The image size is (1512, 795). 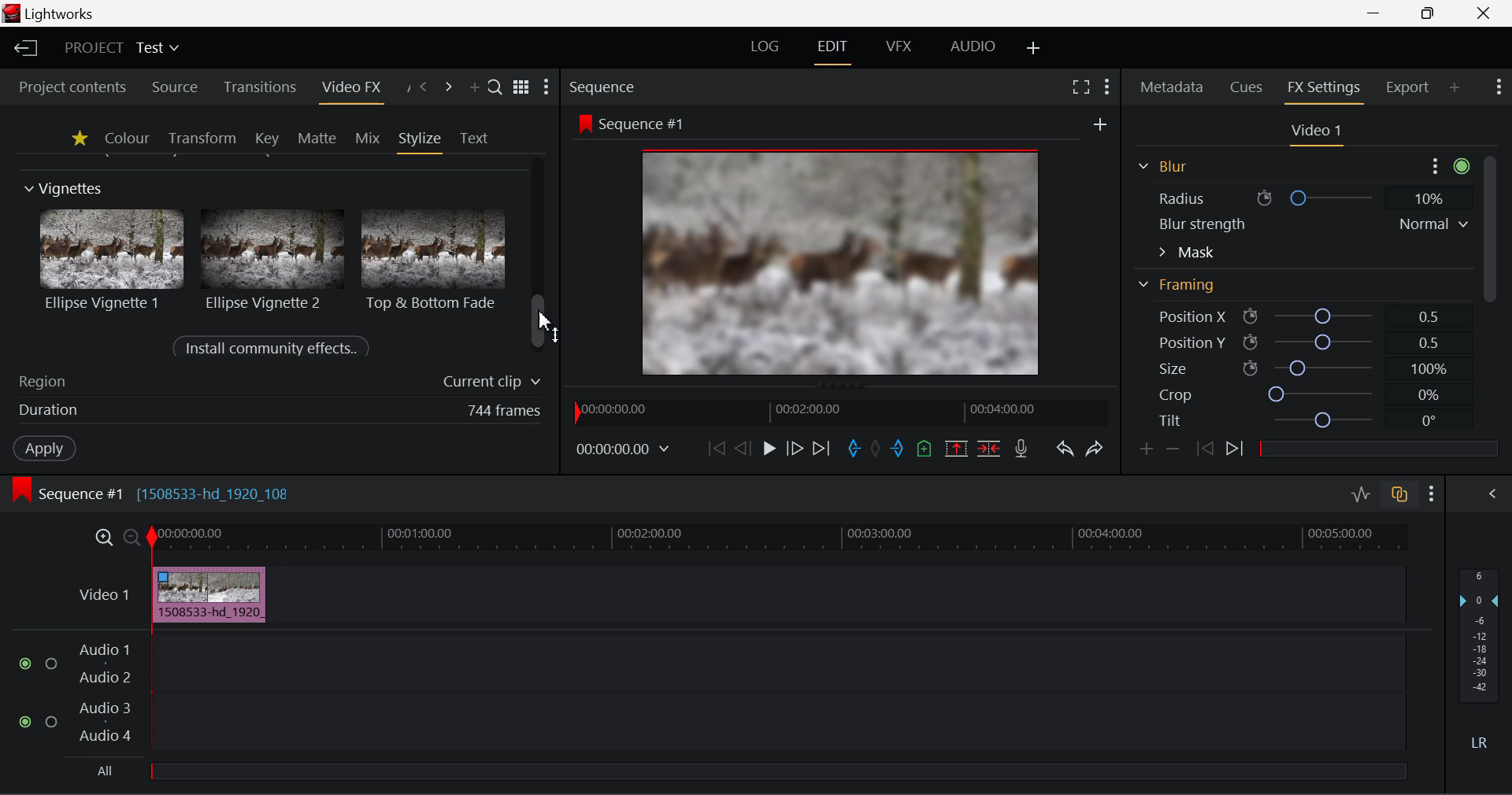 I want to click on Delete/Cut, so click(x=991, y=444).